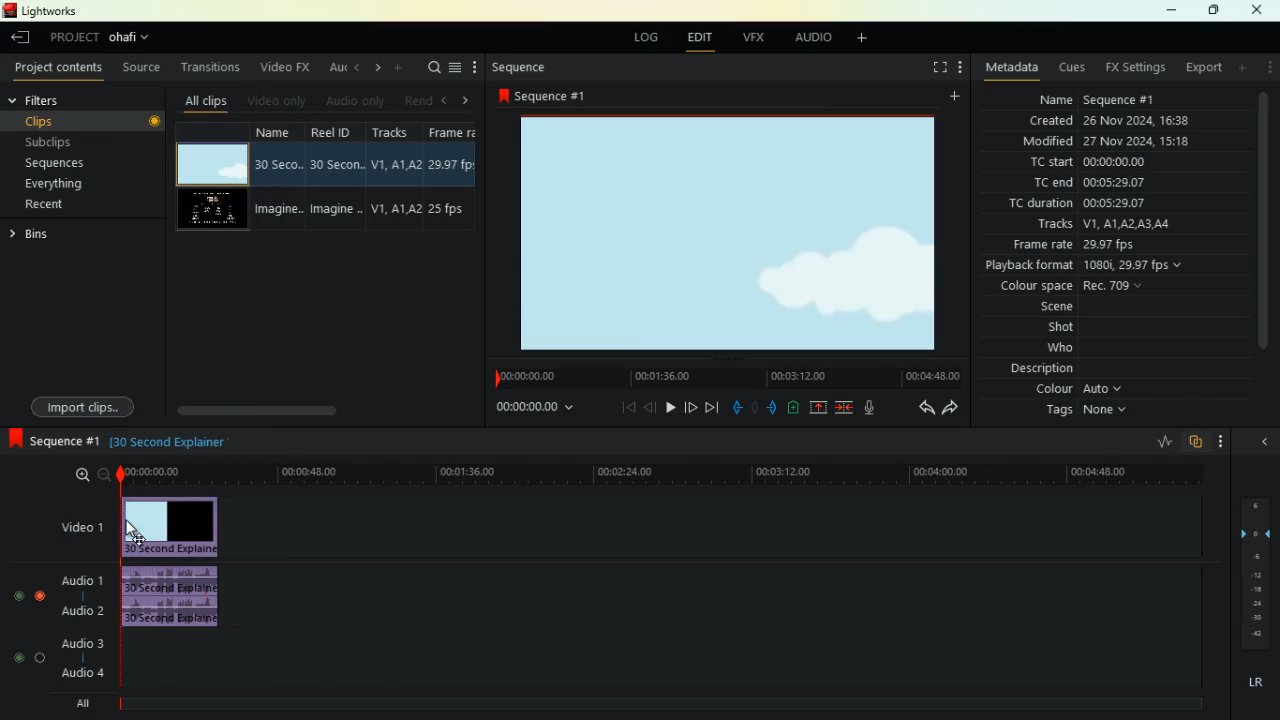 Image resolution: width=1280 pixels, height=720 pixels. Describe the element at coordinates (1096, 267) in the screenshot. I see `playback format` at that location.